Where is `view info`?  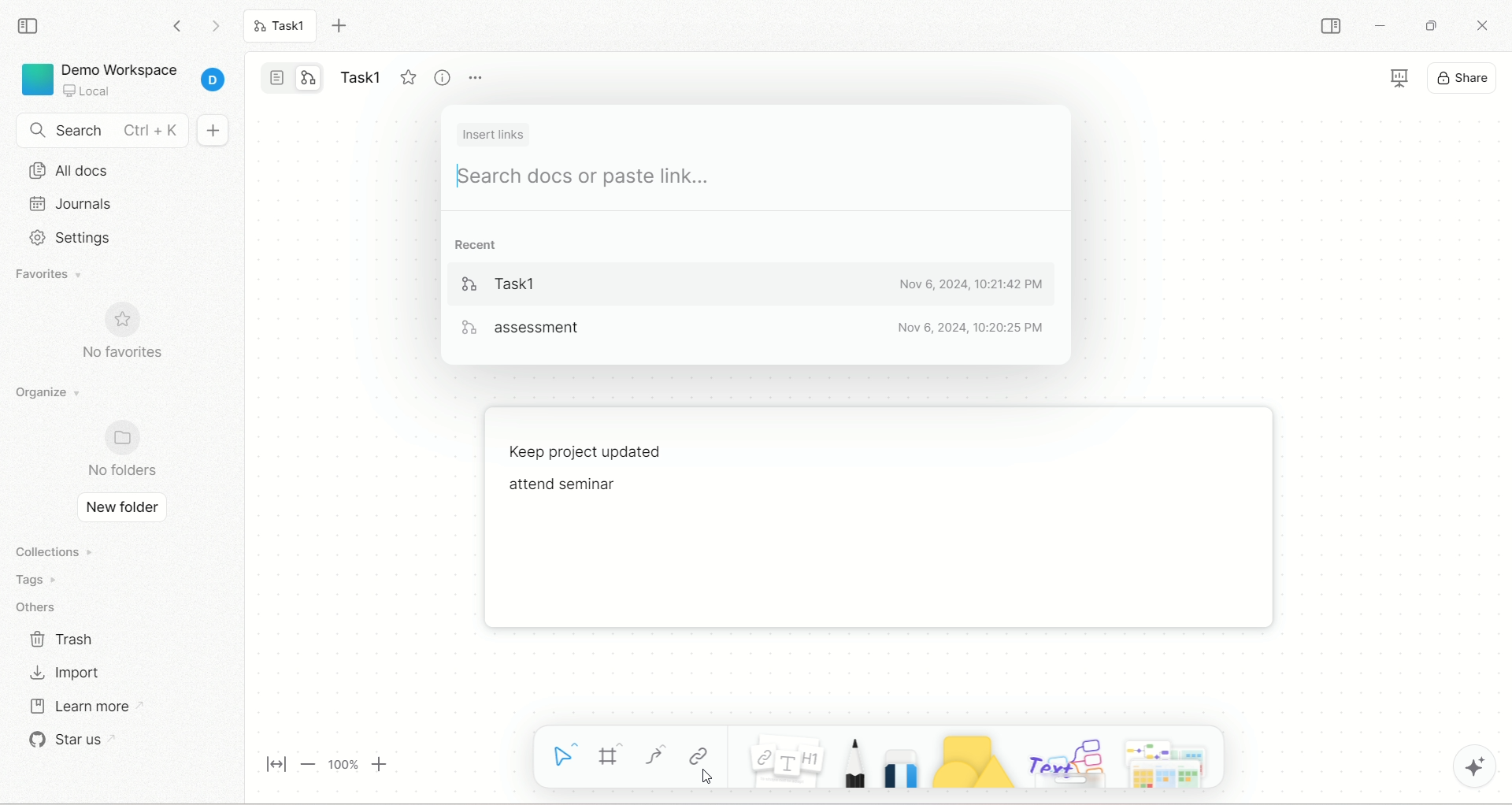
view info is located at coordinates (440, 76).